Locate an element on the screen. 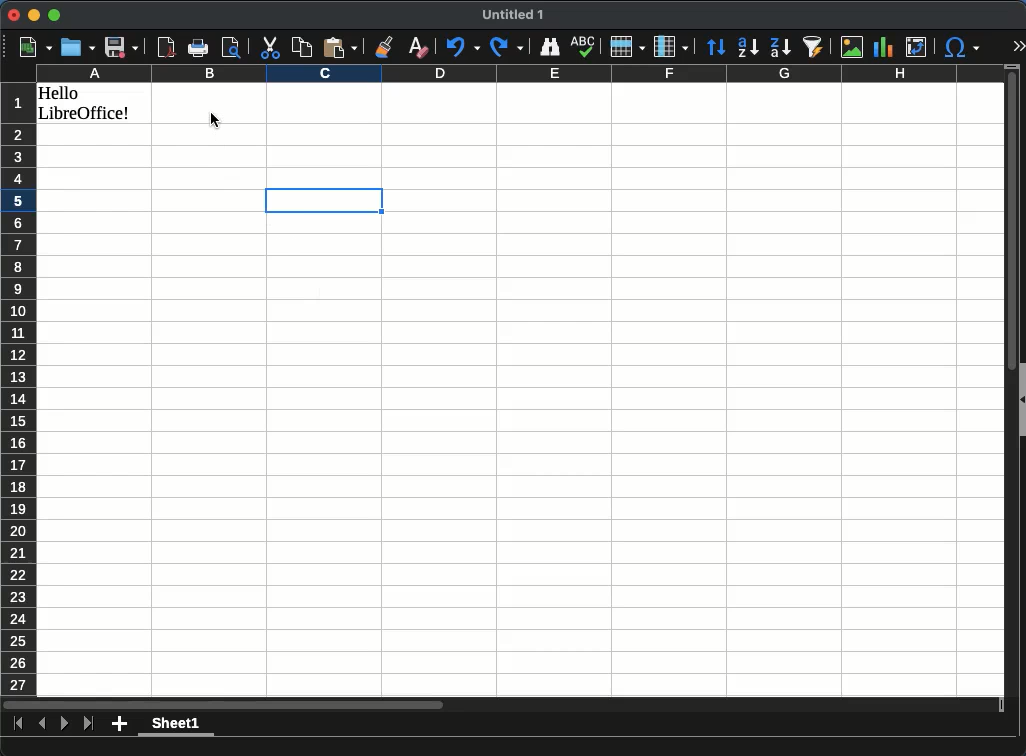 Image resolution: width=1026 pixels, height=756 pixels. rows is located at coordinates (17, 391).